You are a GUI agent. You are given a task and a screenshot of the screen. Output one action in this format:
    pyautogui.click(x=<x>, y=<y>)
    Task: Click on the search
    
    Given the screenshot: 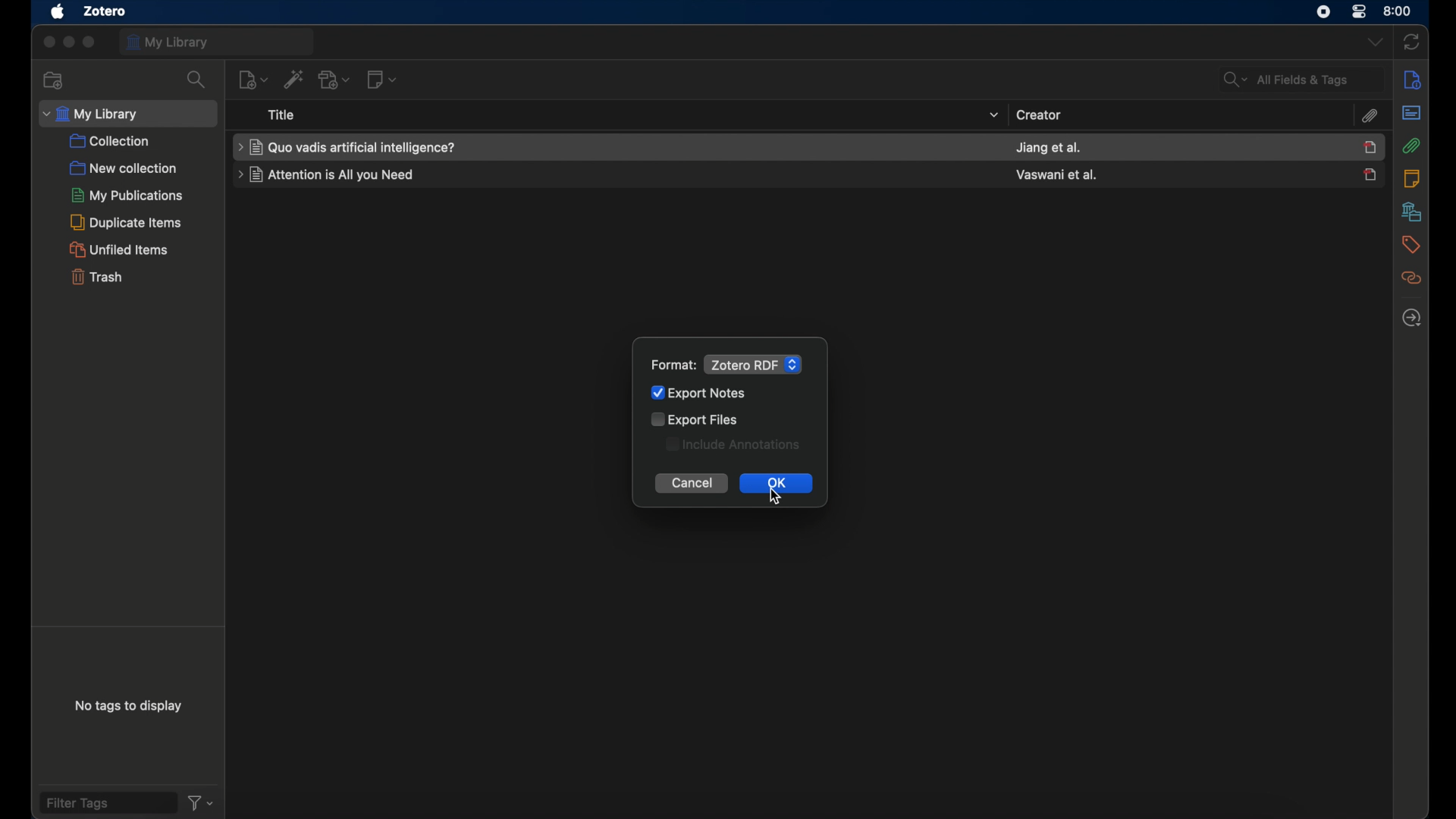 What is the action you would take?
    pyautogui.click(x=196, y=80)
    